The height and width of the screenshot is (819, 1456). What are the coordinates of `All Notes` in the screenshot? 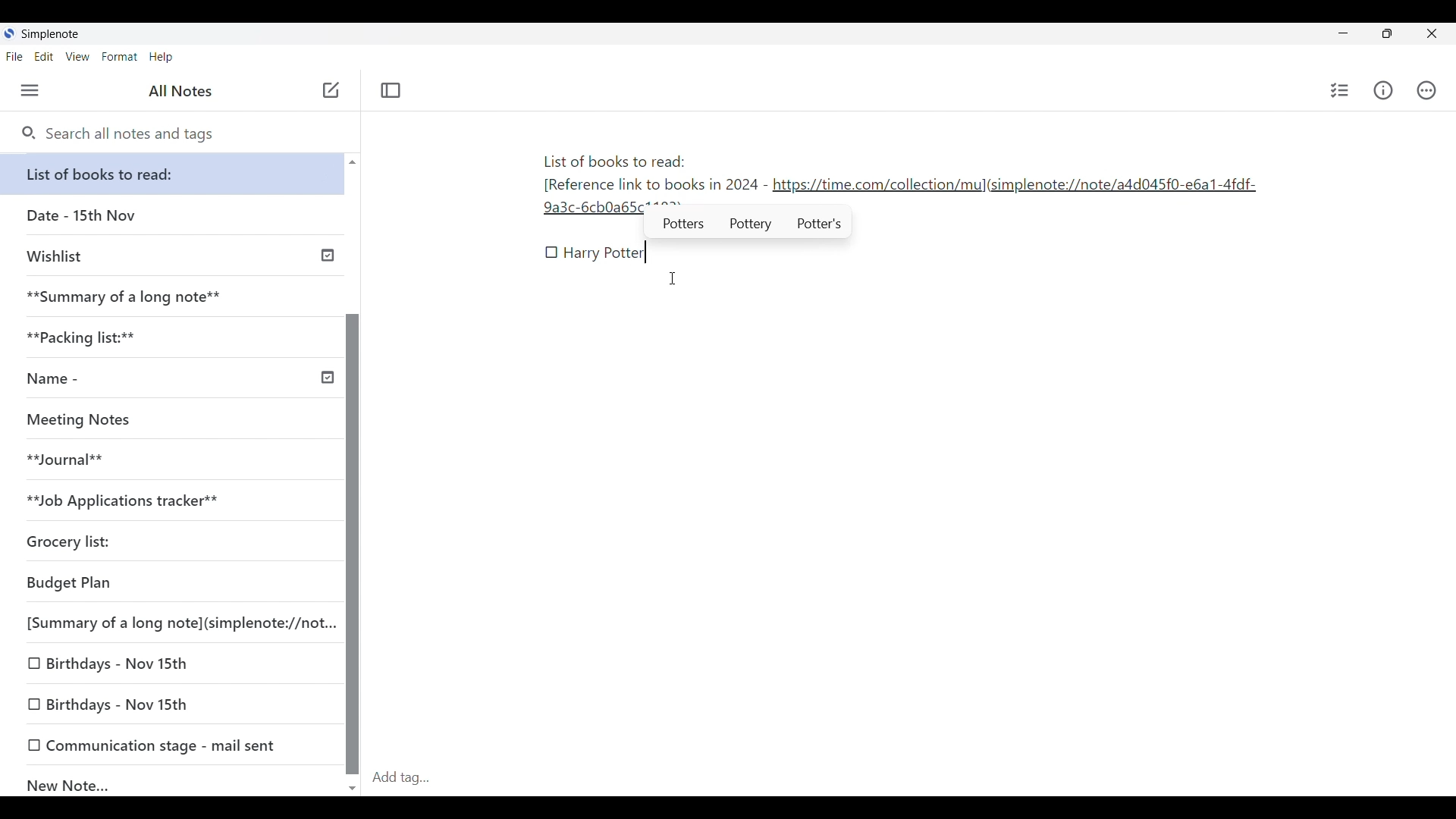 It's located at (178, 91).